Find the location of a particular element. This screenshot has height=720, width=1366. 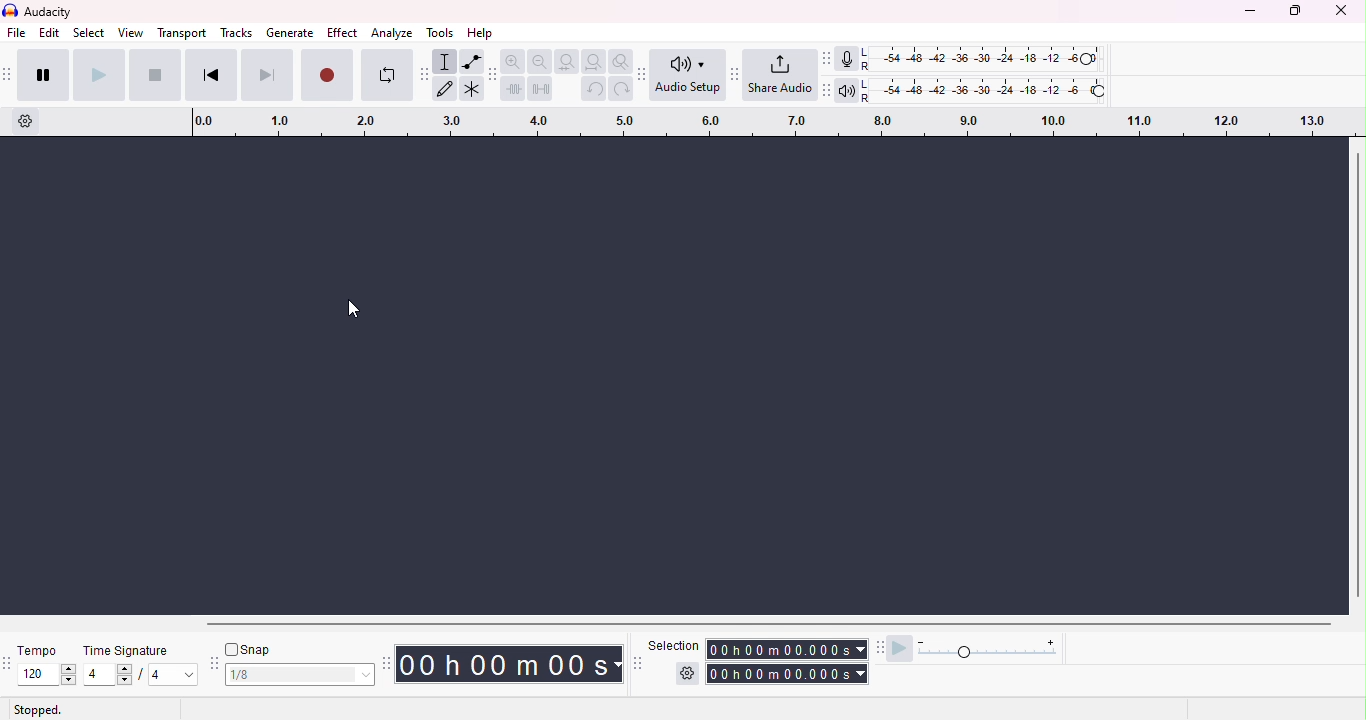

play at speed tool bar is located at coordinates (883, 649).